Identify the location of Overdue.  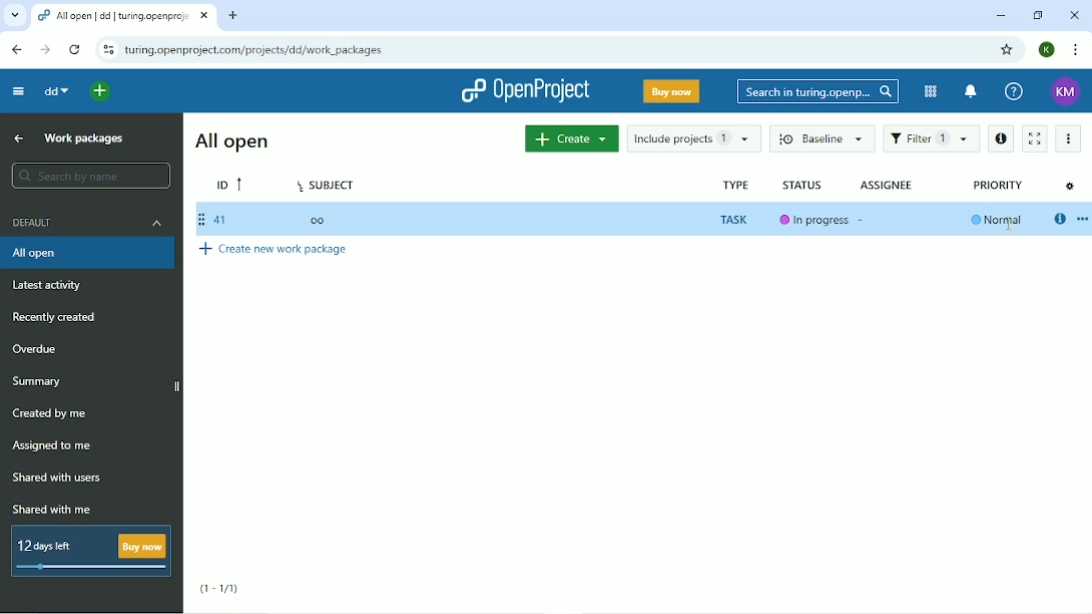
(35, 350).